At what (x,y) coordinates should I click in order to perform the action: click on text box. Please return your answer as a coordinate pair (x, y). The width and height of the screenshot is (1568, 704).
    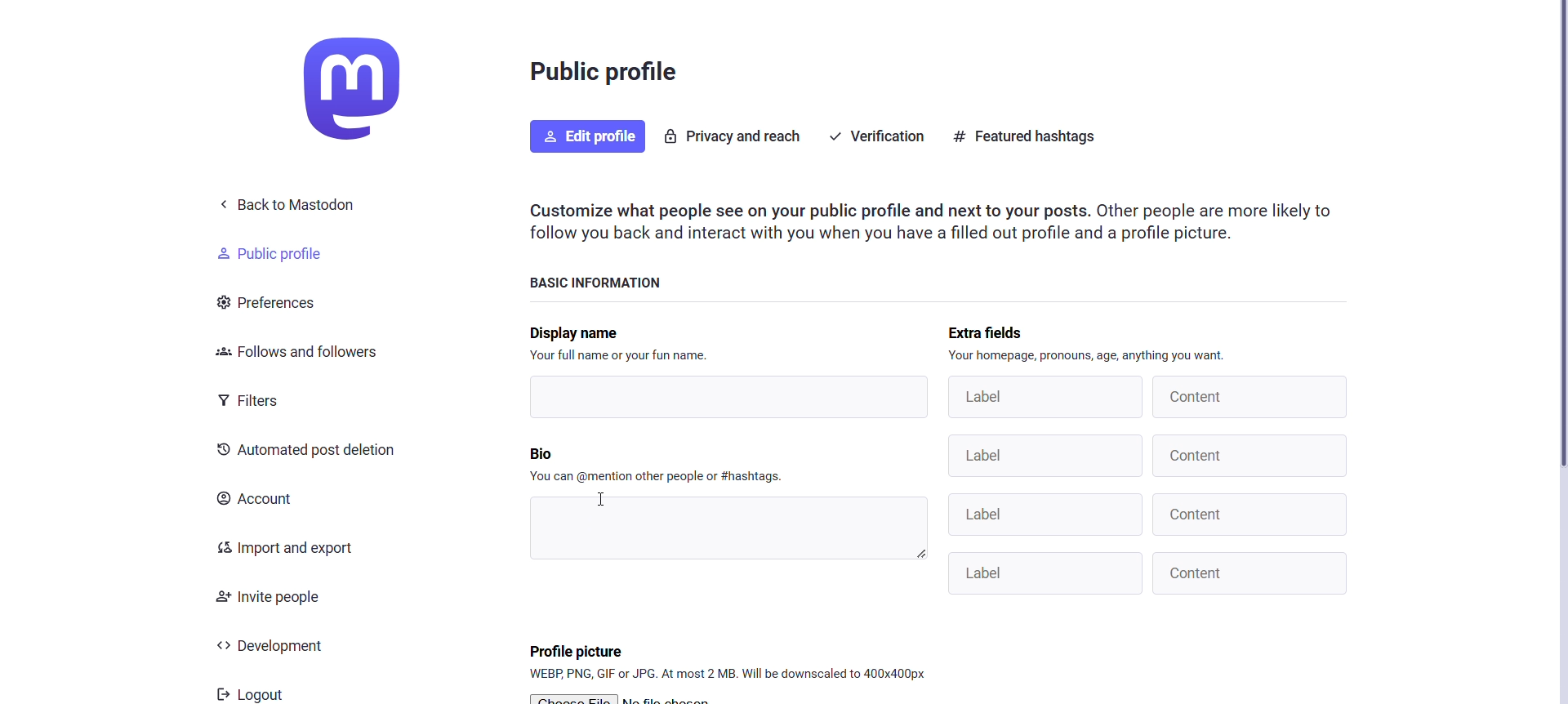
    Looking at the image, I should click on (727, 528).